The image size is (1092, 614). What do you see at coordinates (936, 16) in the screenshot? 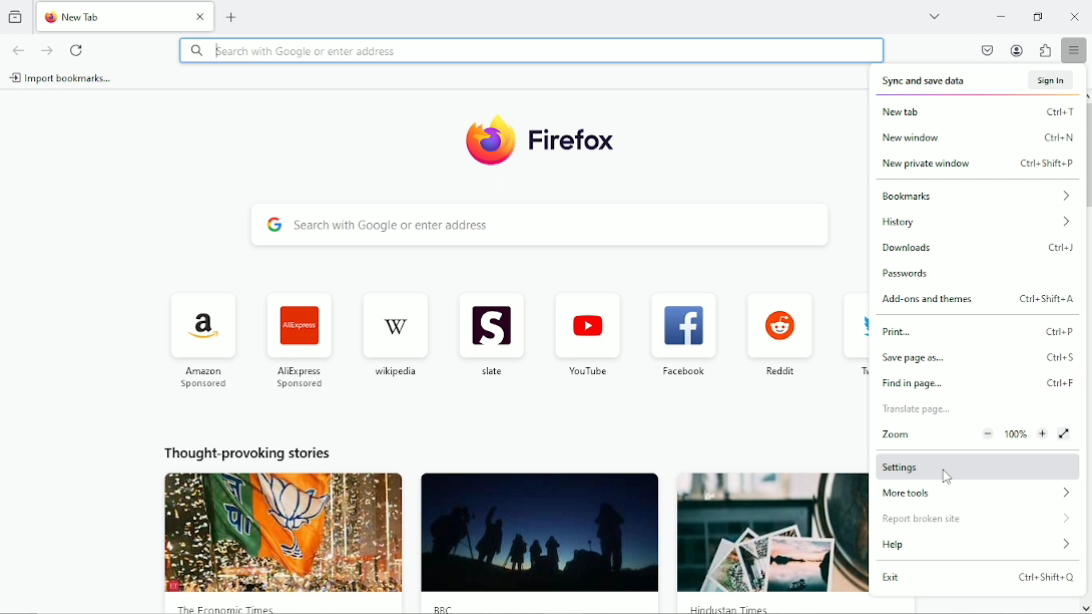
I see `list all tabs` at bounding box center [936, 16].